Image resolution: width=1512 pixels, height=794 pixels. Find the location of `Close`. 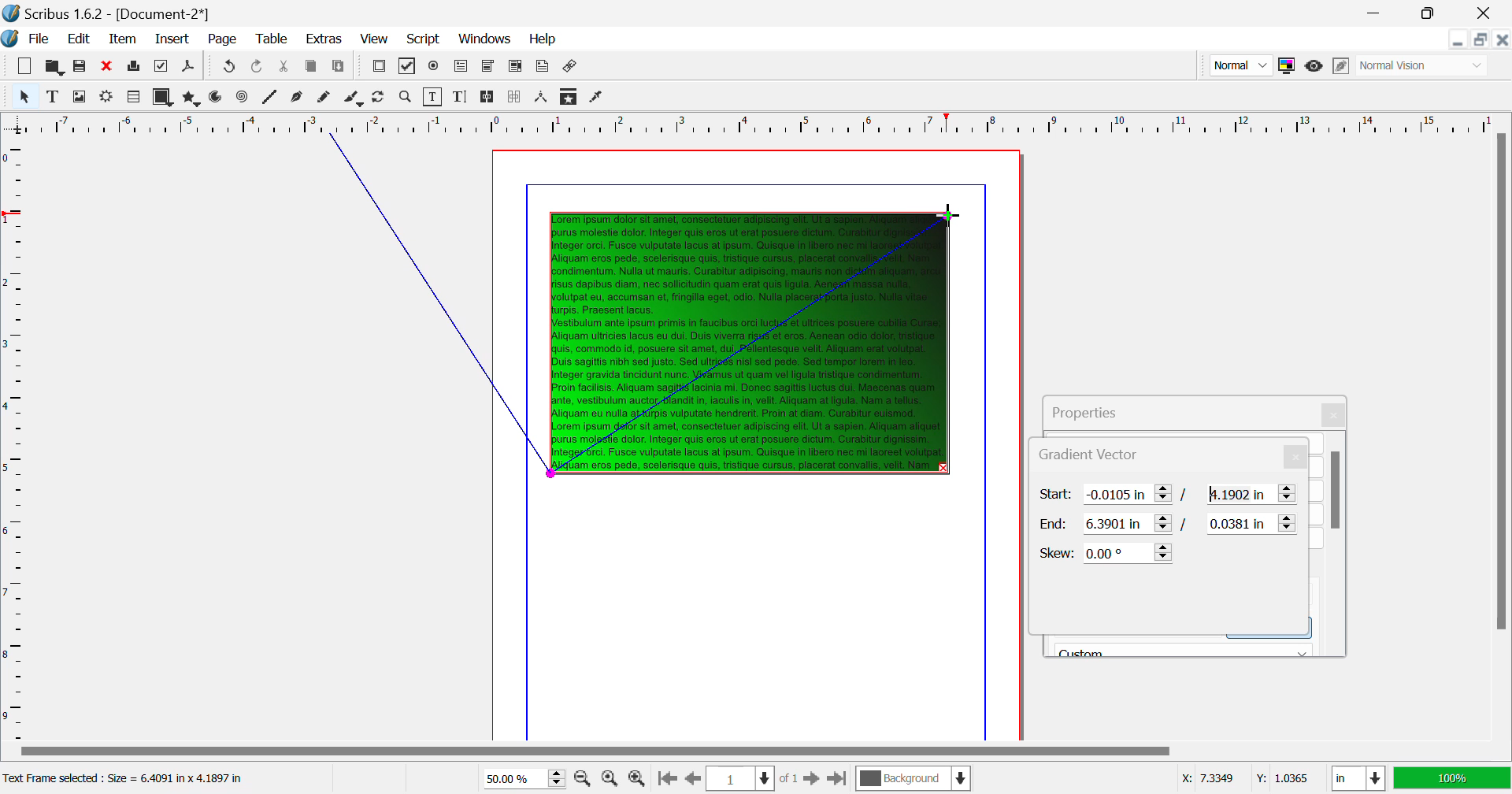

Close is located at coordinates (1336, 415).